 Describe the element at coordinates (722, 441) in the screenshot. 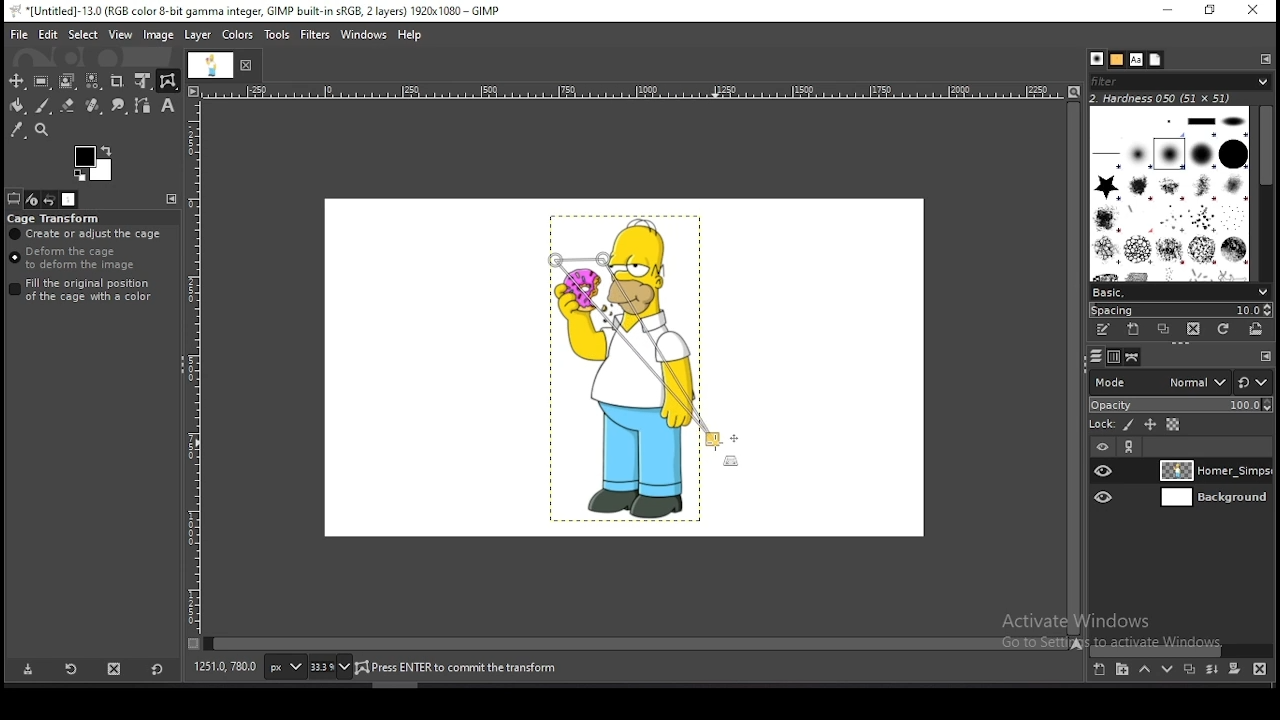

I see `mouse pointer` at that location.